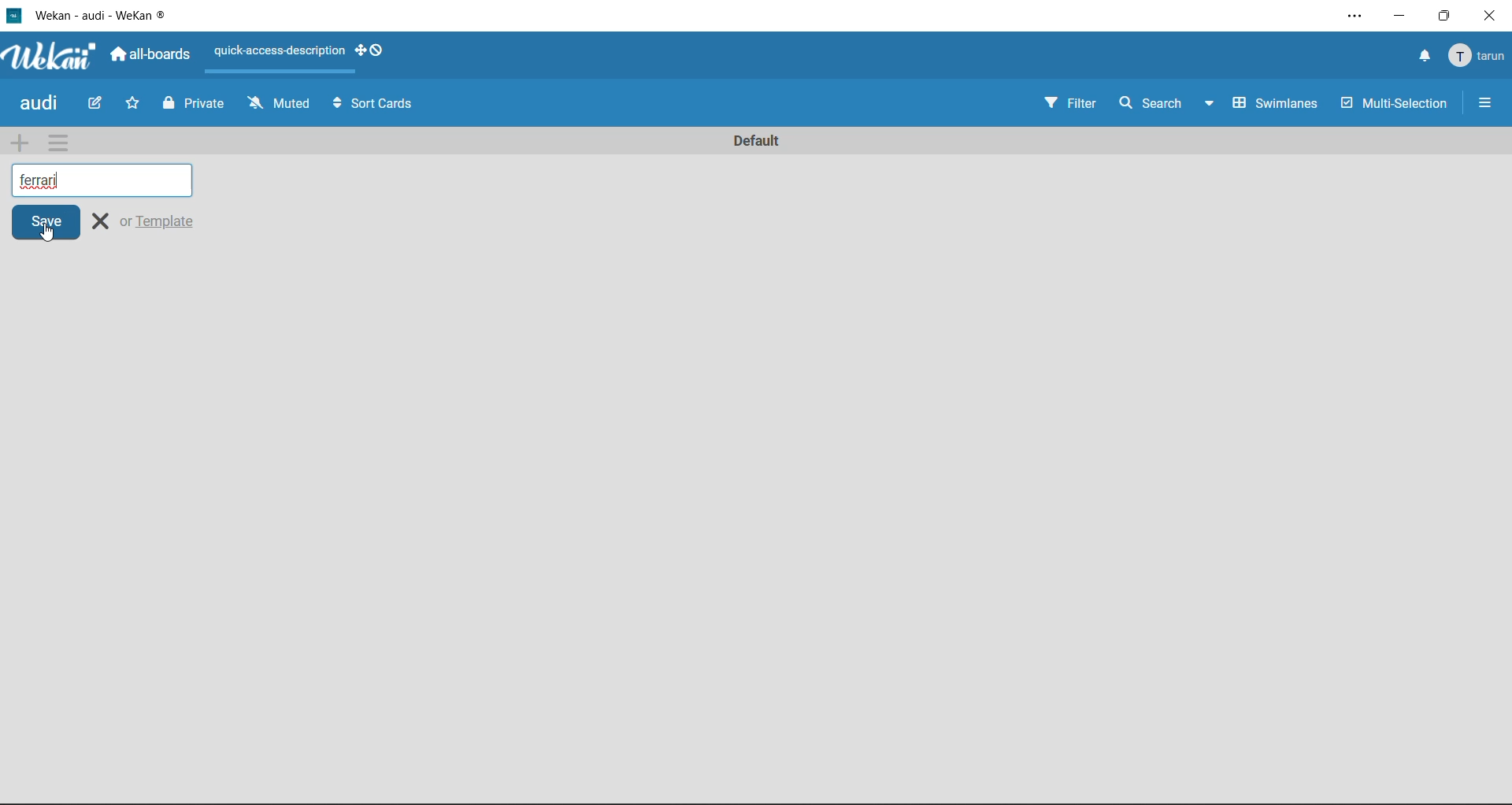  Describe the element at coordinates (38, 105) in the screenshot. I see `board title` at that location.